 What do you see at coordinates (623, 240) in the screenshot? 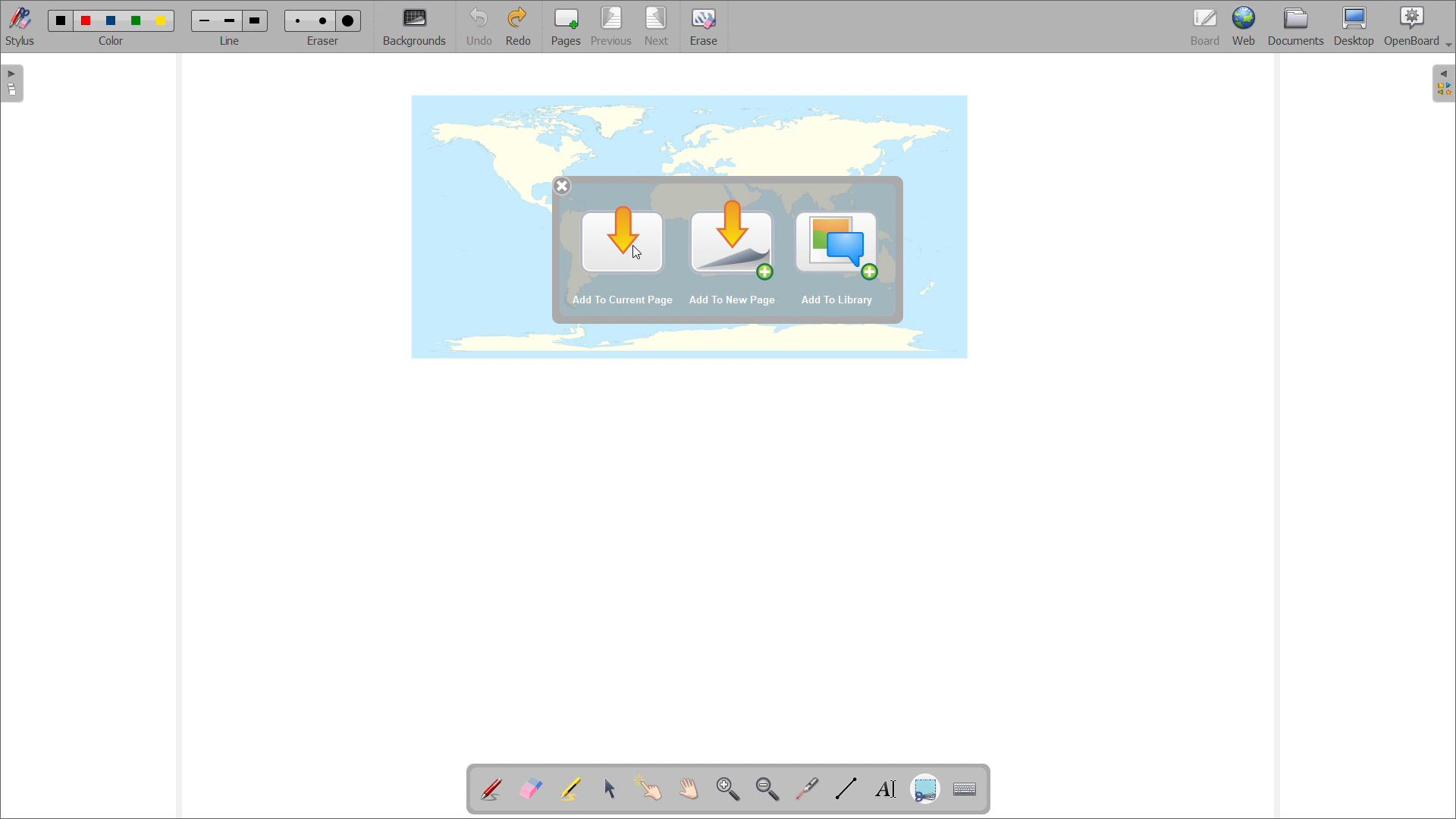
I see `add to current page` at bounding box center [623, 240].